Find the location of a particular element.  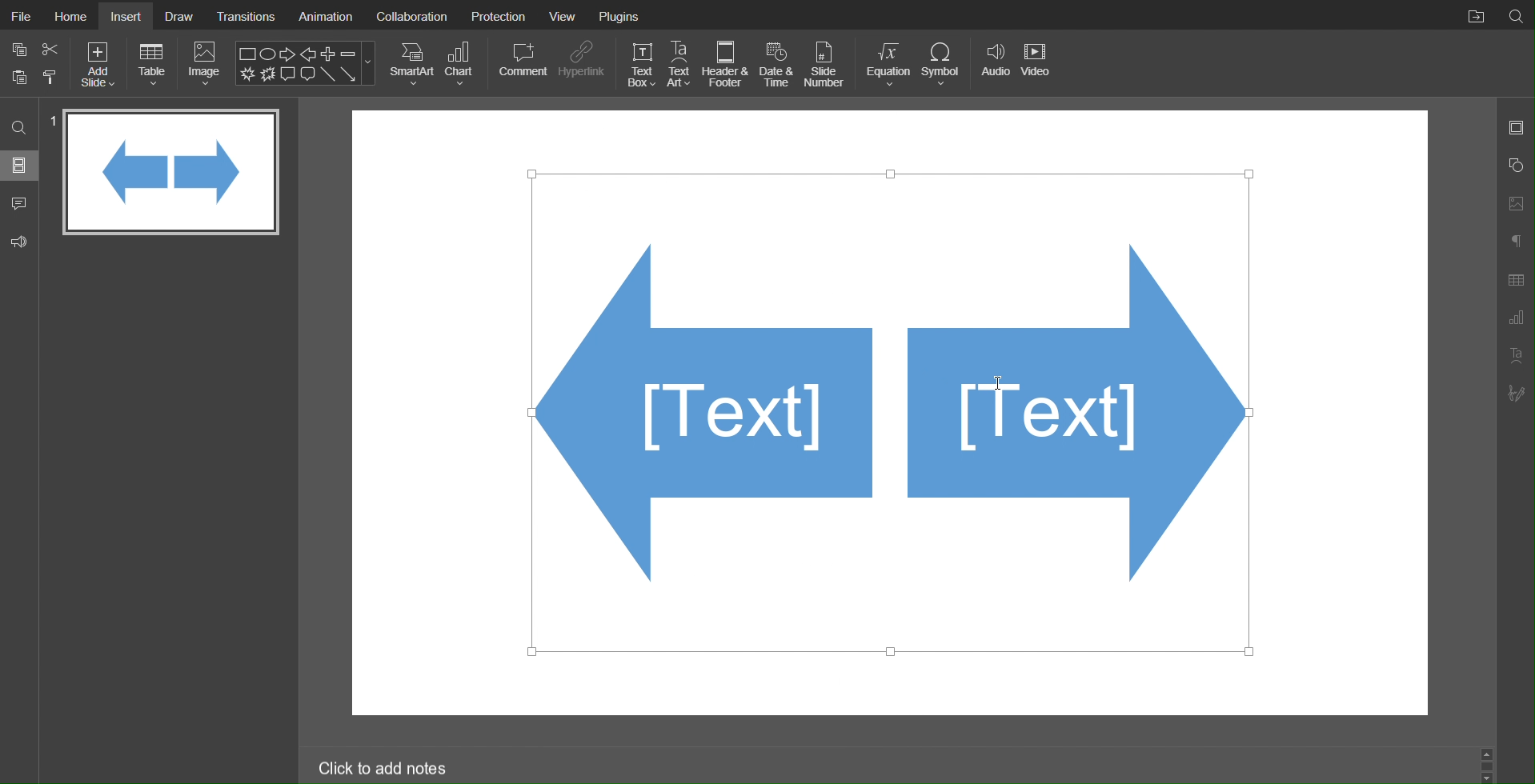

Collaboration is located at coordinates (412, 15).